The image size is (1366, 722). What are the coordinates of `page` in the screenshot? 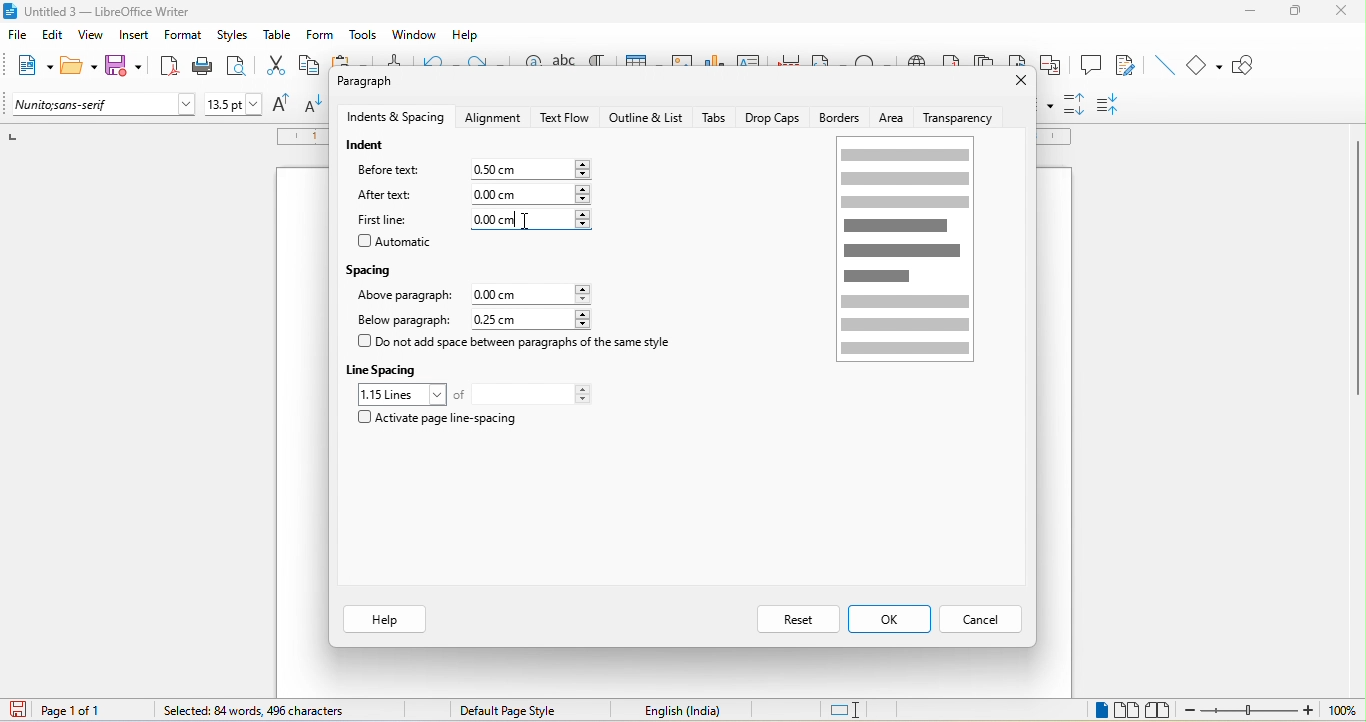 It's located at (906, 250).